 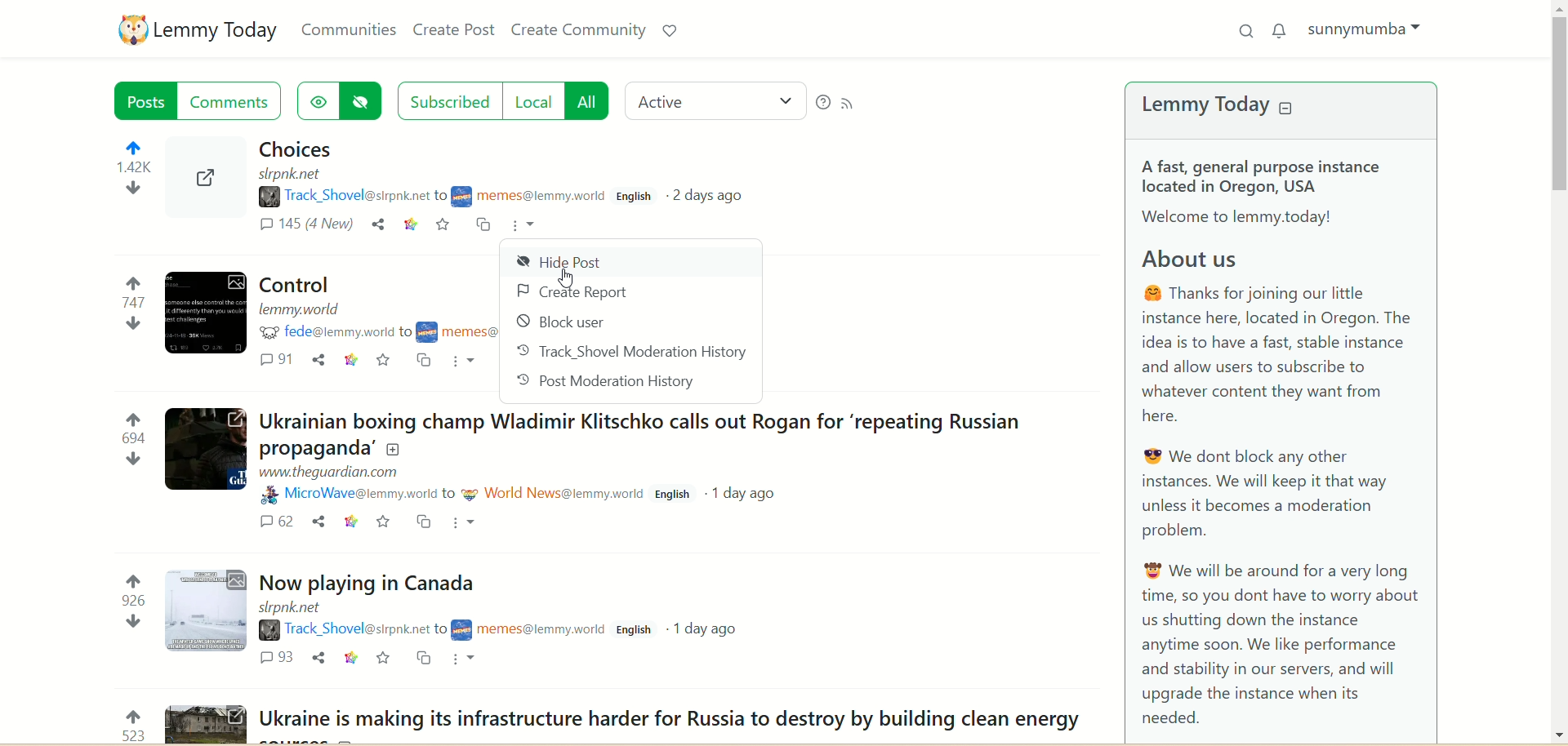 I want to click on username, so click(x=348, y=628).